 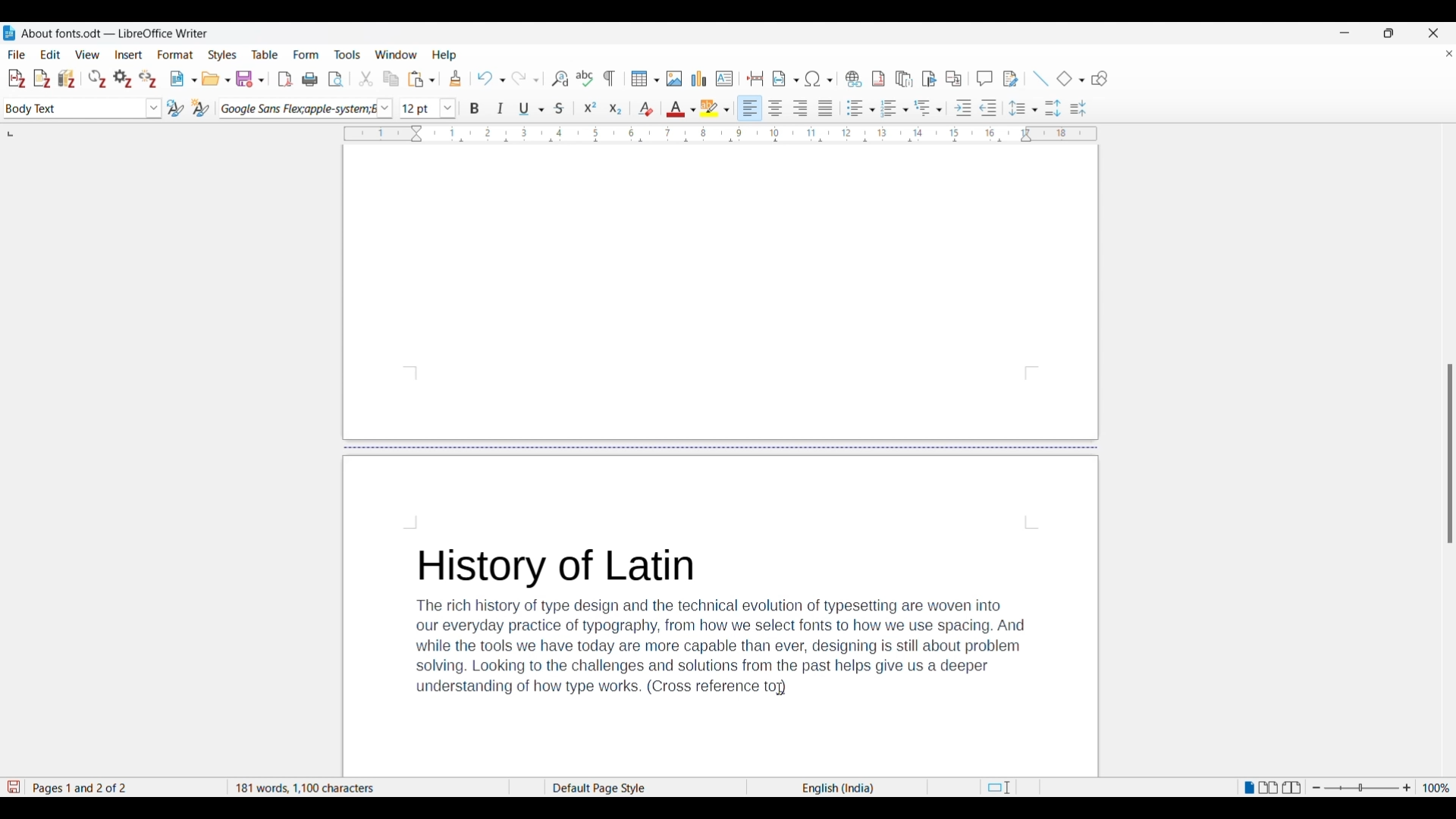 I want to click on Font options , so click(x=384, y=109).